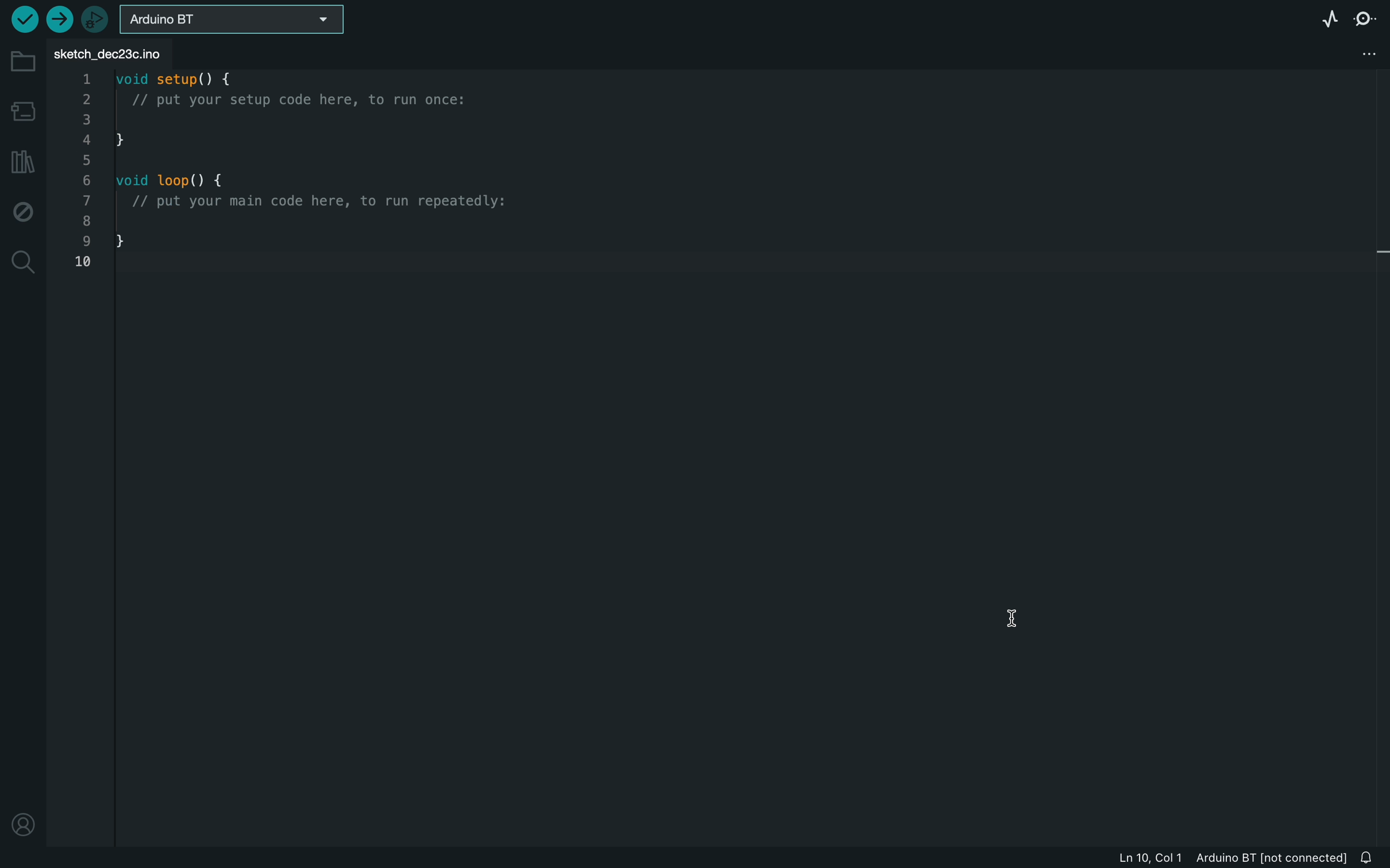 This screenshot has height=868, width=1390. Describe the element at coordinates (235, 17) in the screenshot. I see `board selecter` at that location.